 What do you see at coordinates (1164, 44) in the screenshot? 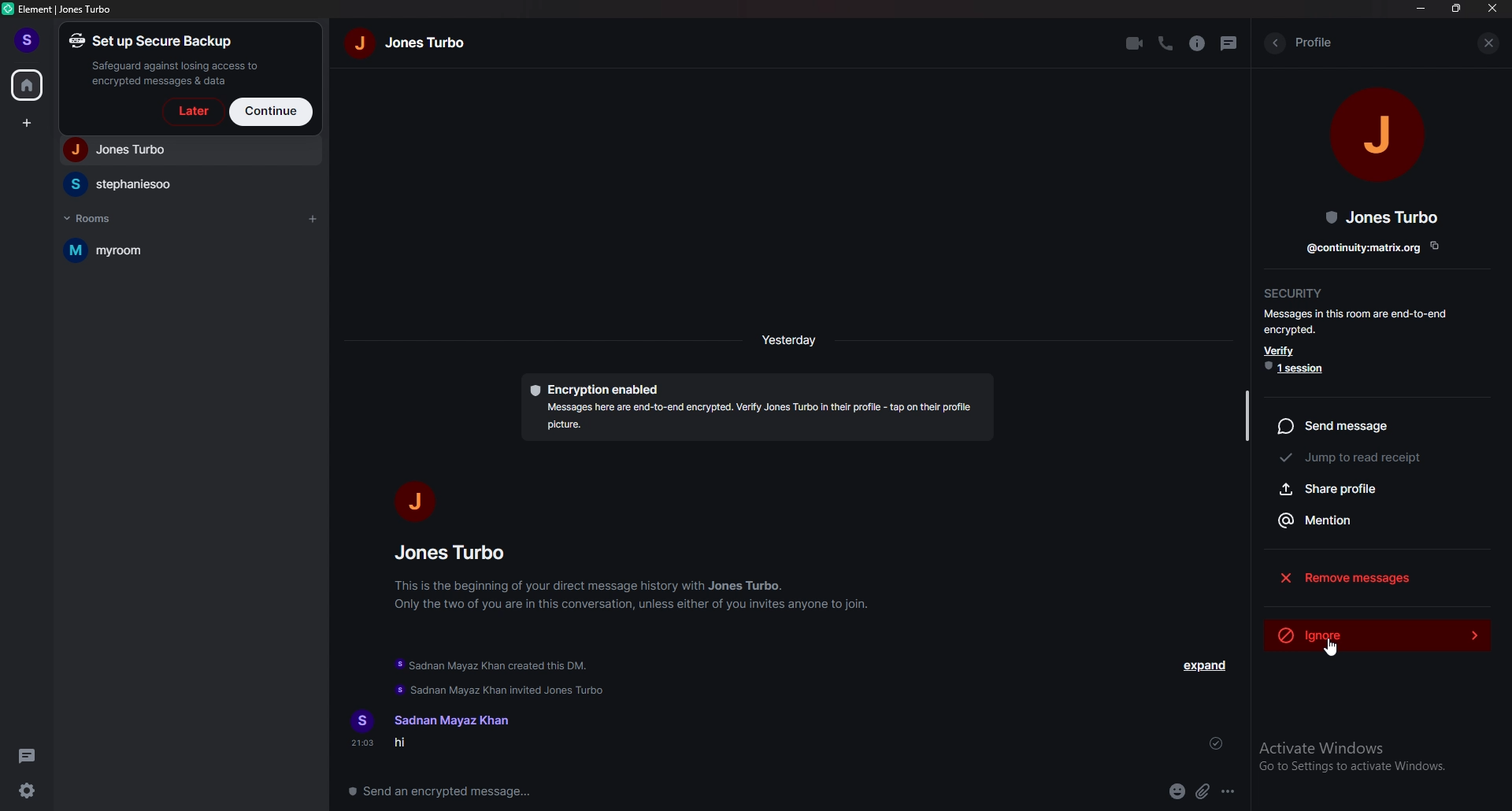
I see `voice call` at bounding box center [1164, 44].